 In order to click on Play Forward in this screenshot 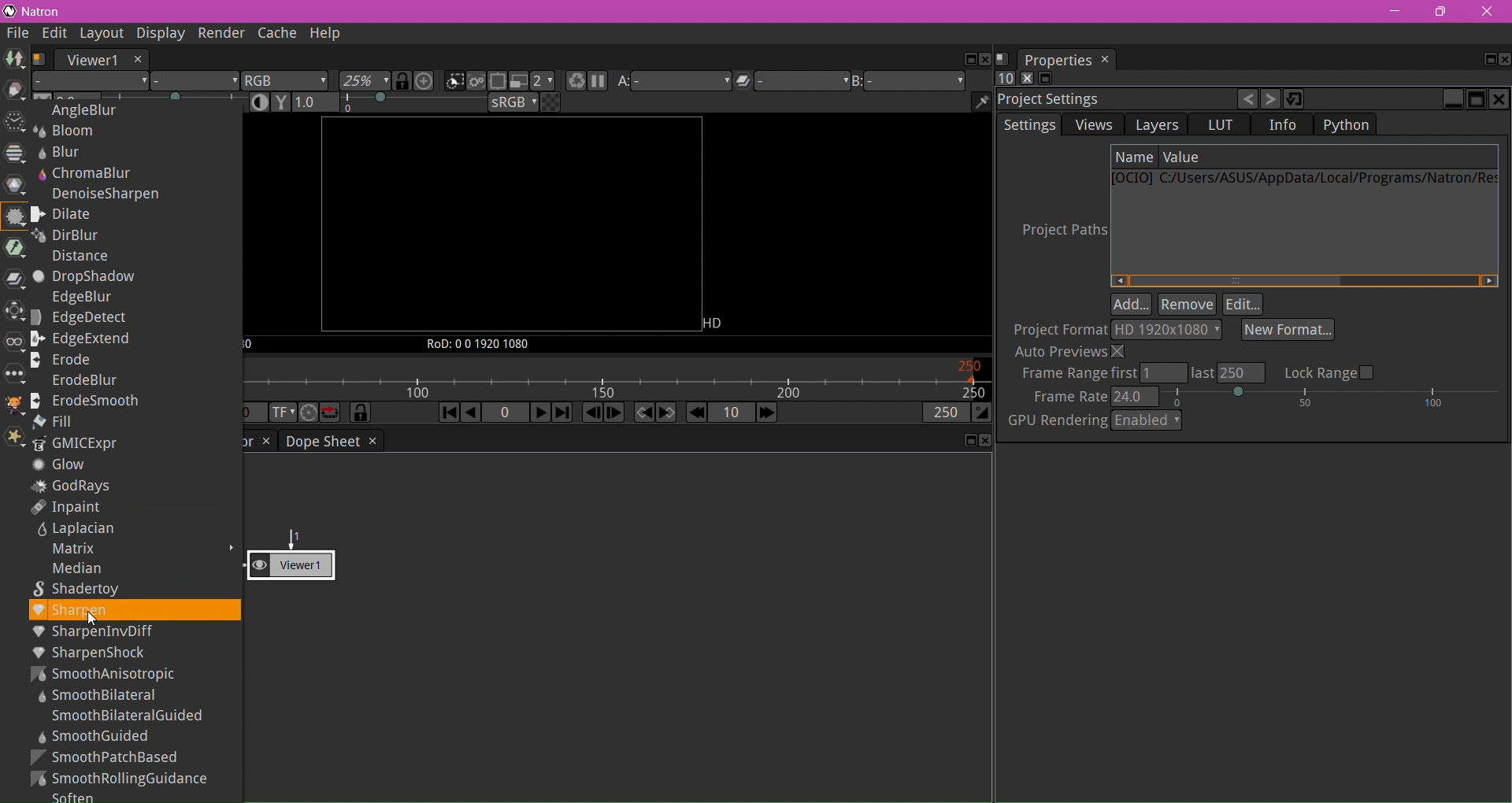, I will do `click(539, 412)`.